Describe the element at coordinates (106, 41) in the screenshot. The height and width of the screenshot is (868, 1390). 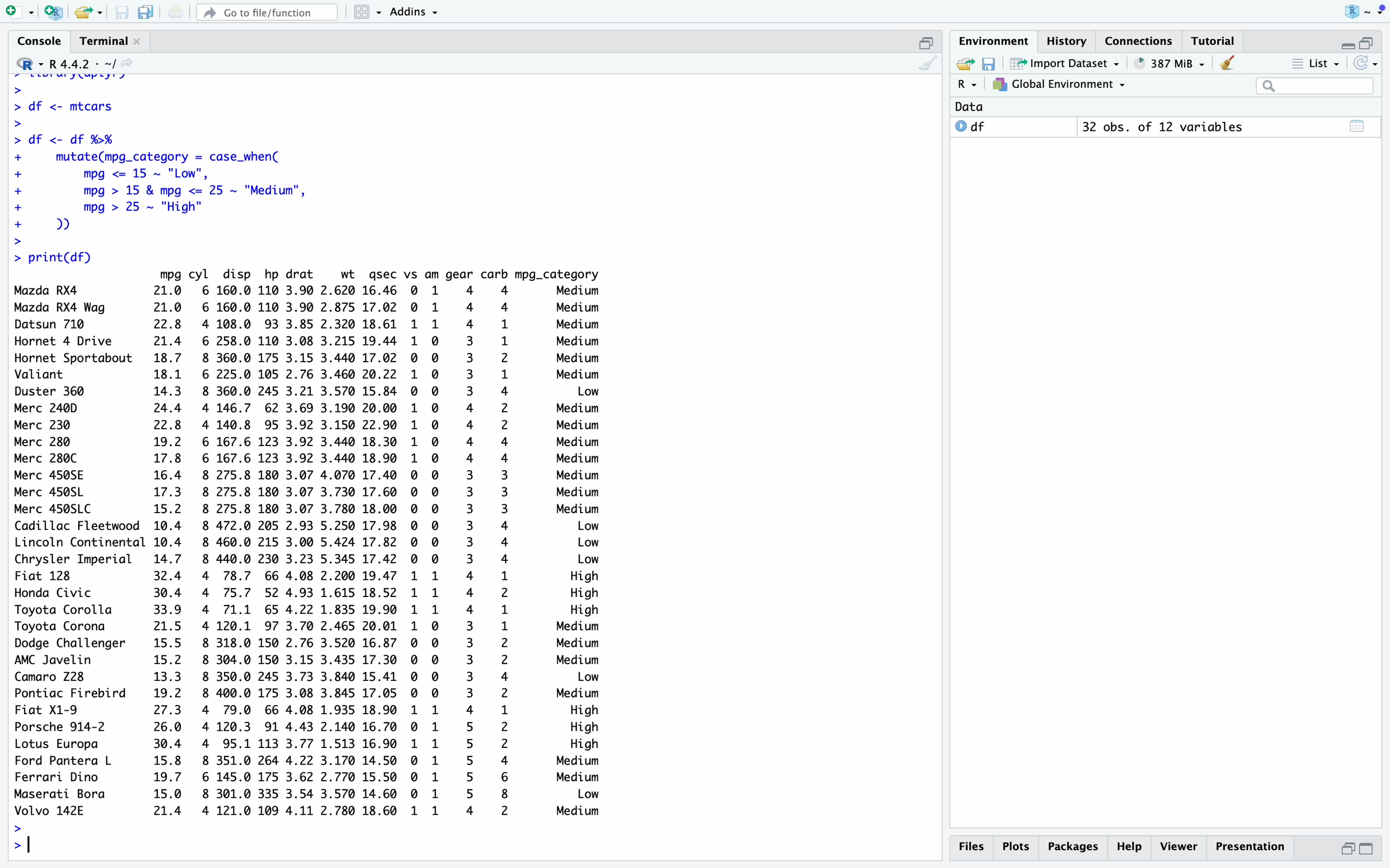
I see `terminal` at that location.